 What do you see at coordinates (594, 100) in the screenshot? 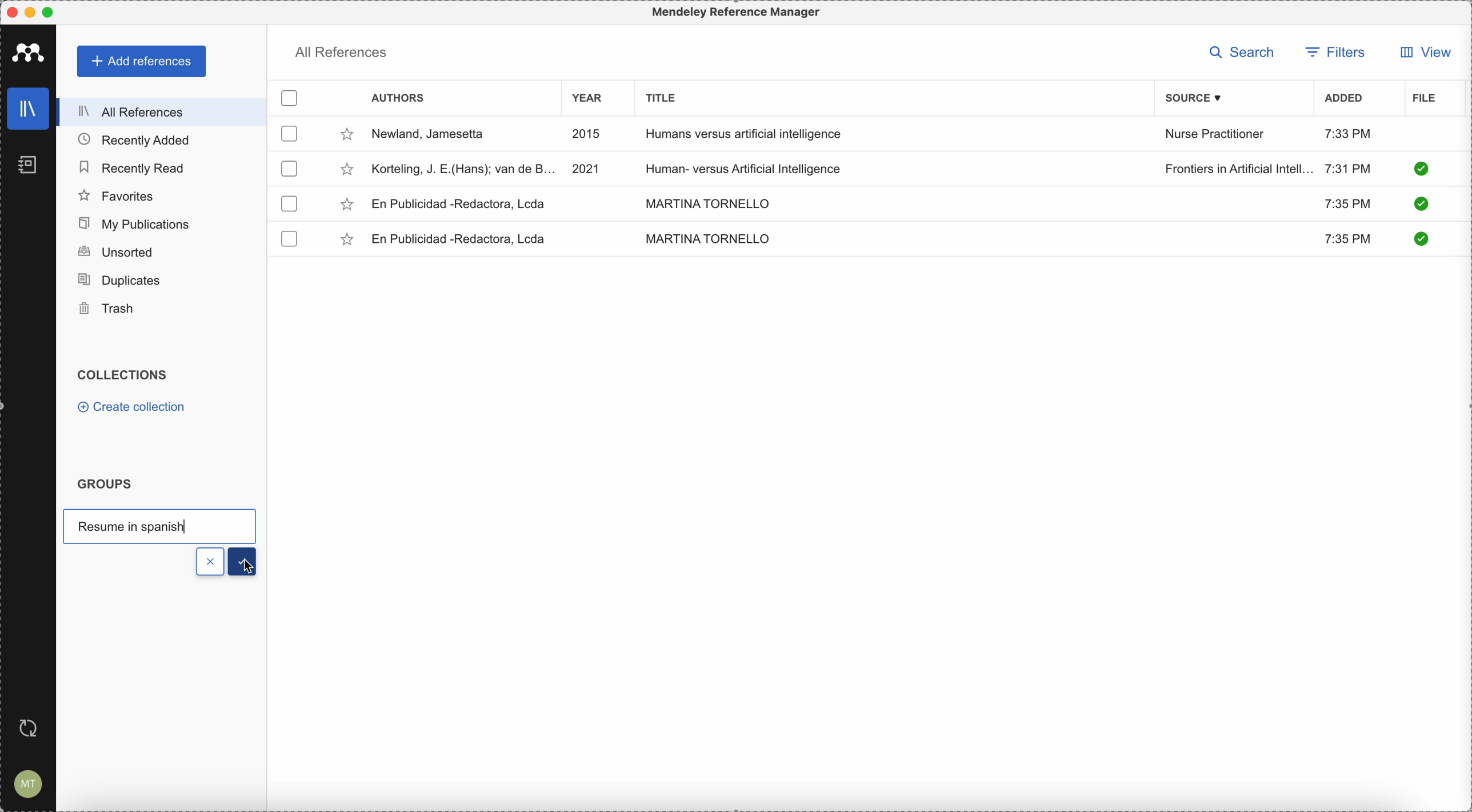
I see `year` at bounding box center [594, 100].